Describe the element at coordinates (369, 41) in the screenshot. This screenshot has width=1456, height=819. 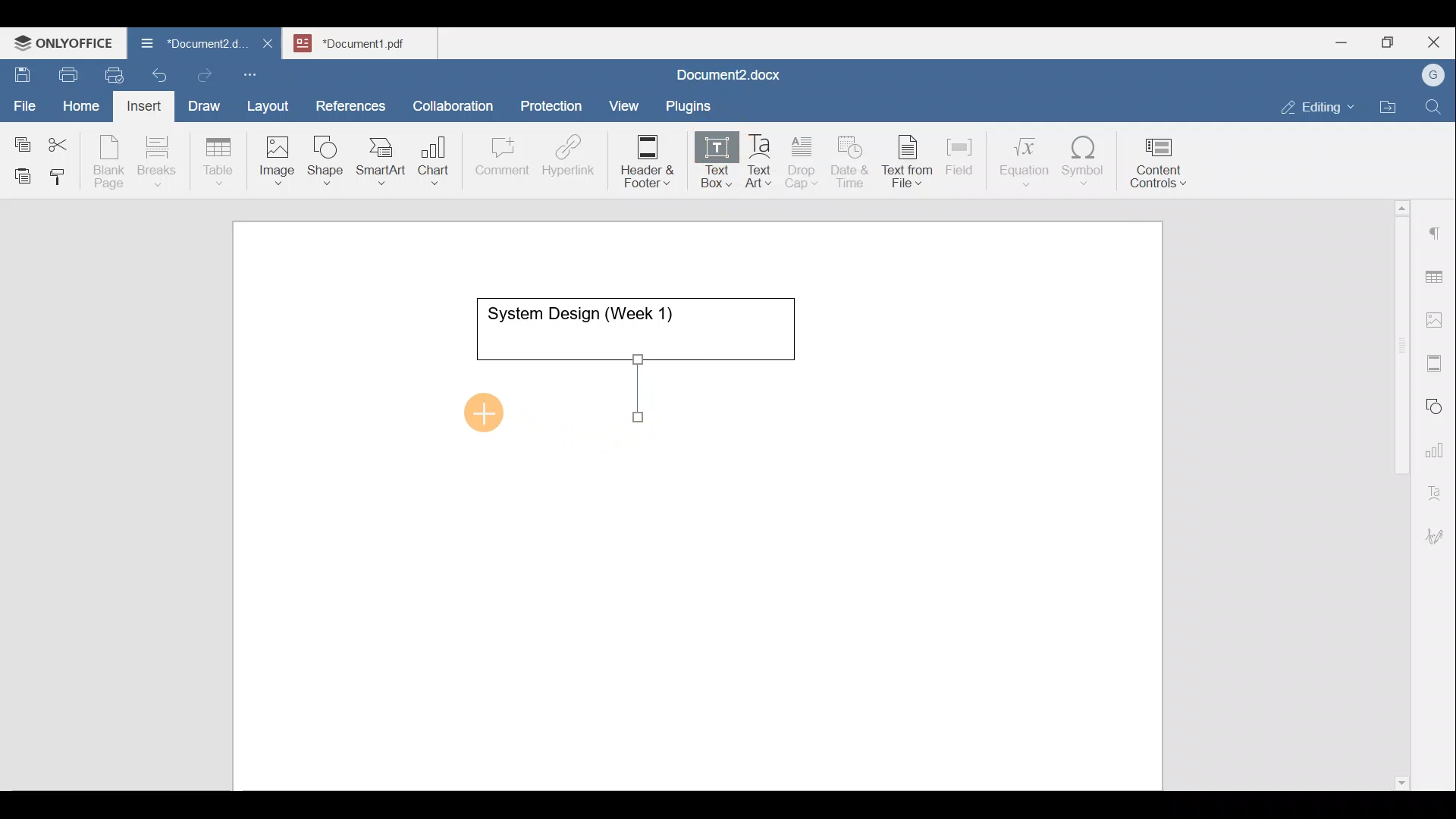
I see `Document name` at that location.